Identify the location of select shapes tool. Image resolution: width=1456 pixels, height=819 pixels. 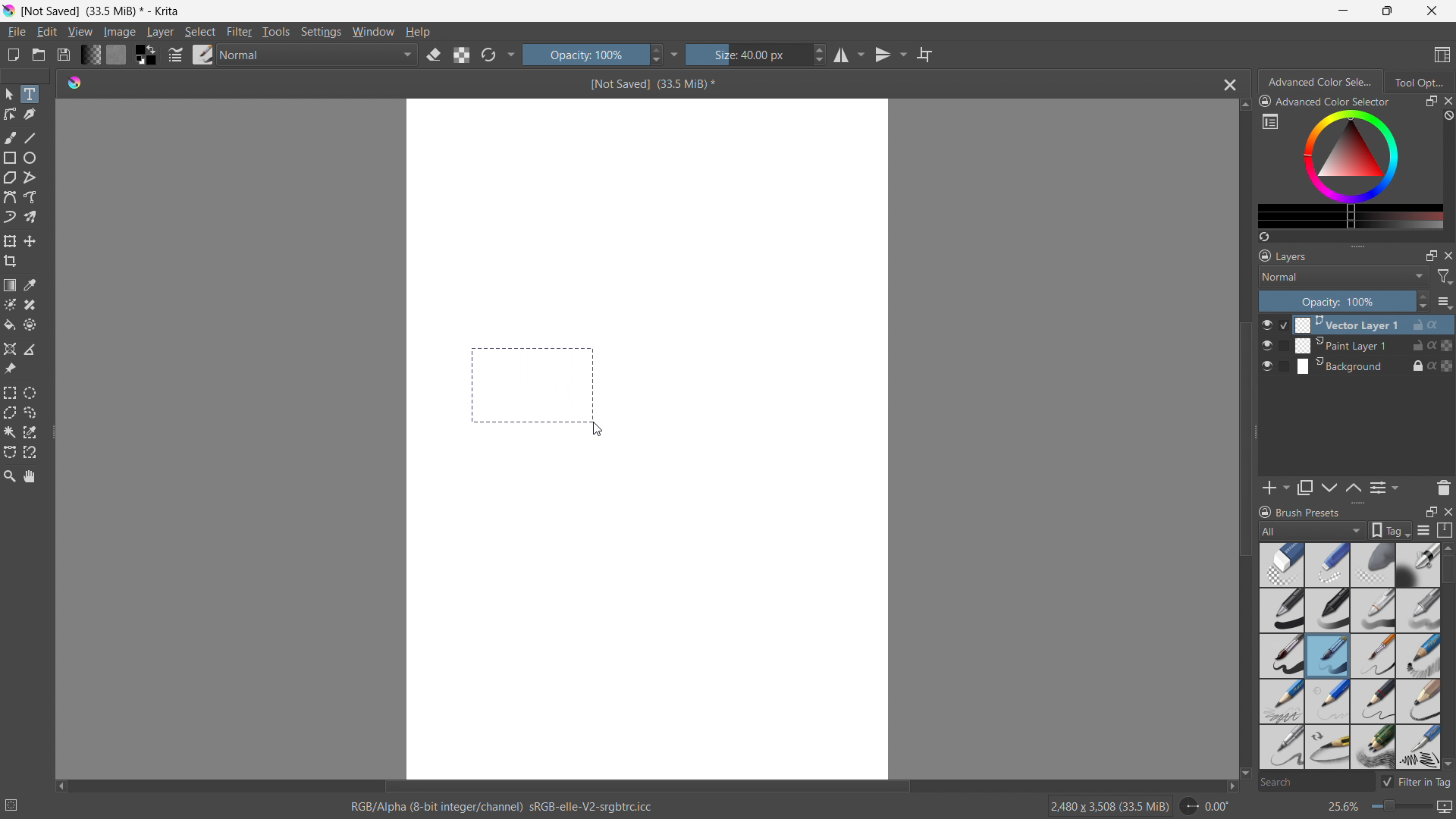
(8, 94).